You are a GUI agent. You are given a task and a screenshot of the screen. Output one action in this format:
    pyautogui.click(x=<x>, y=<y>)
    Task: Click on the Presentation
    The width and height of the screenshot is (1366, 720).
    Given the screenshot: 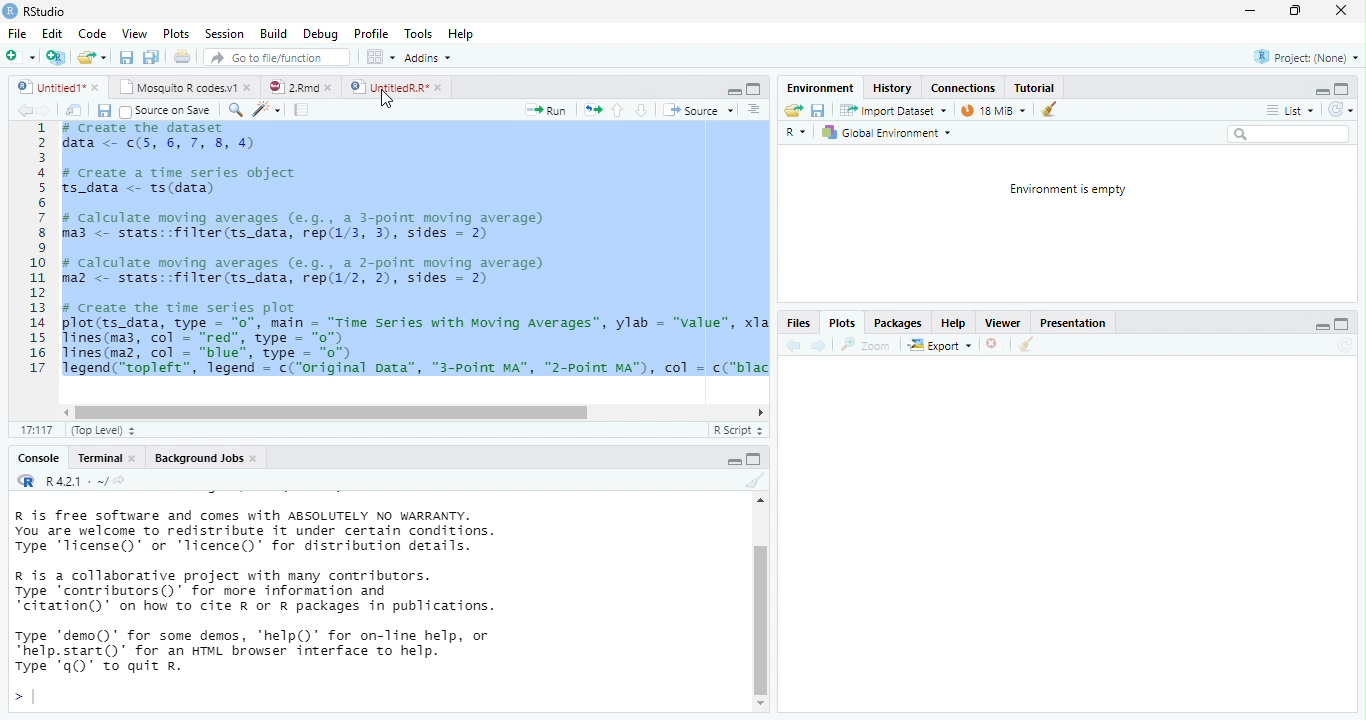 What is the action you would take?
    pyautogui.click(x=1071, y=325)
    